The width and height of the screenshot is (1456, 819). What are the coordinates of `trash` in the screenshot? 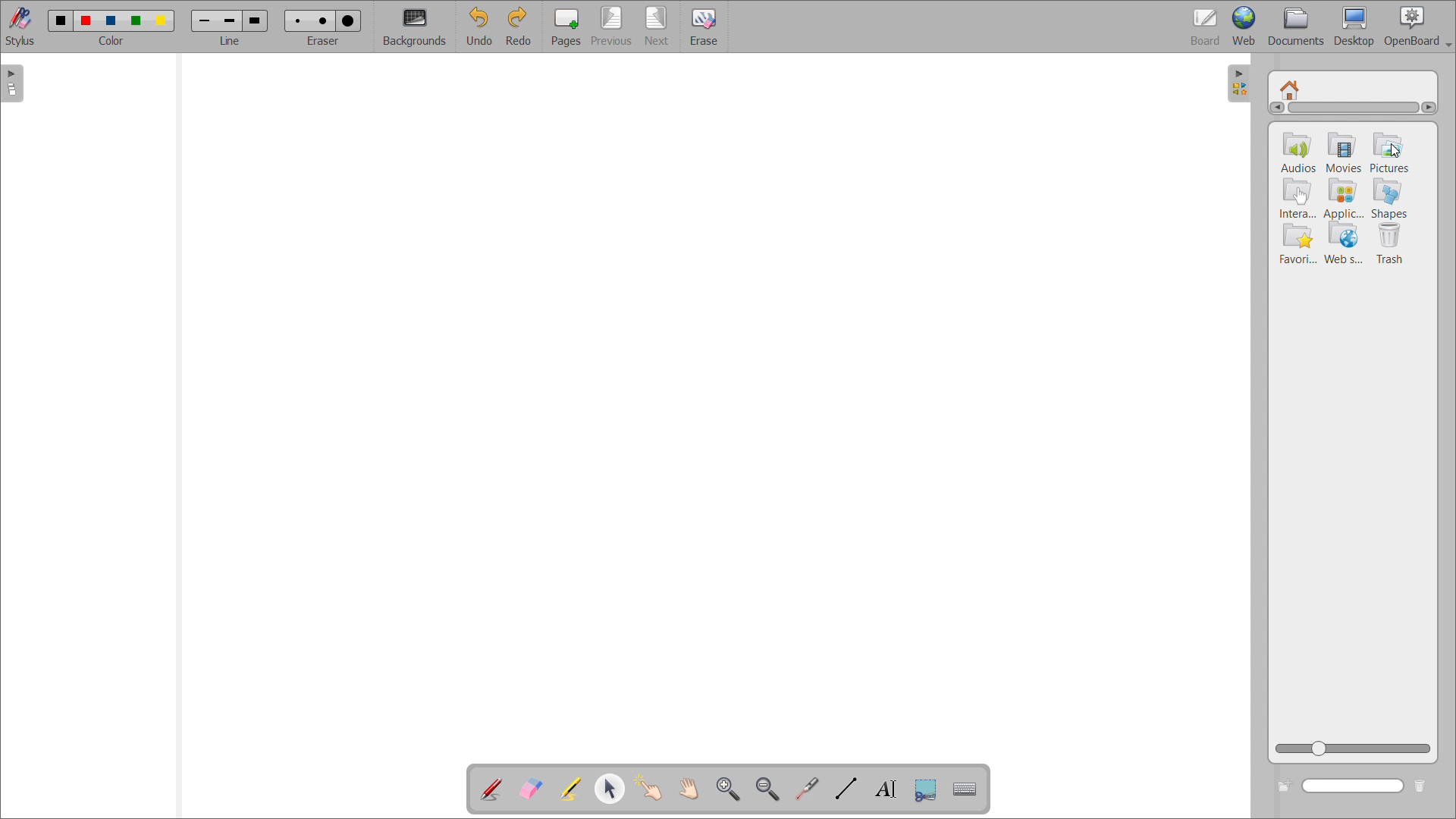 It's located at (1390, 244).